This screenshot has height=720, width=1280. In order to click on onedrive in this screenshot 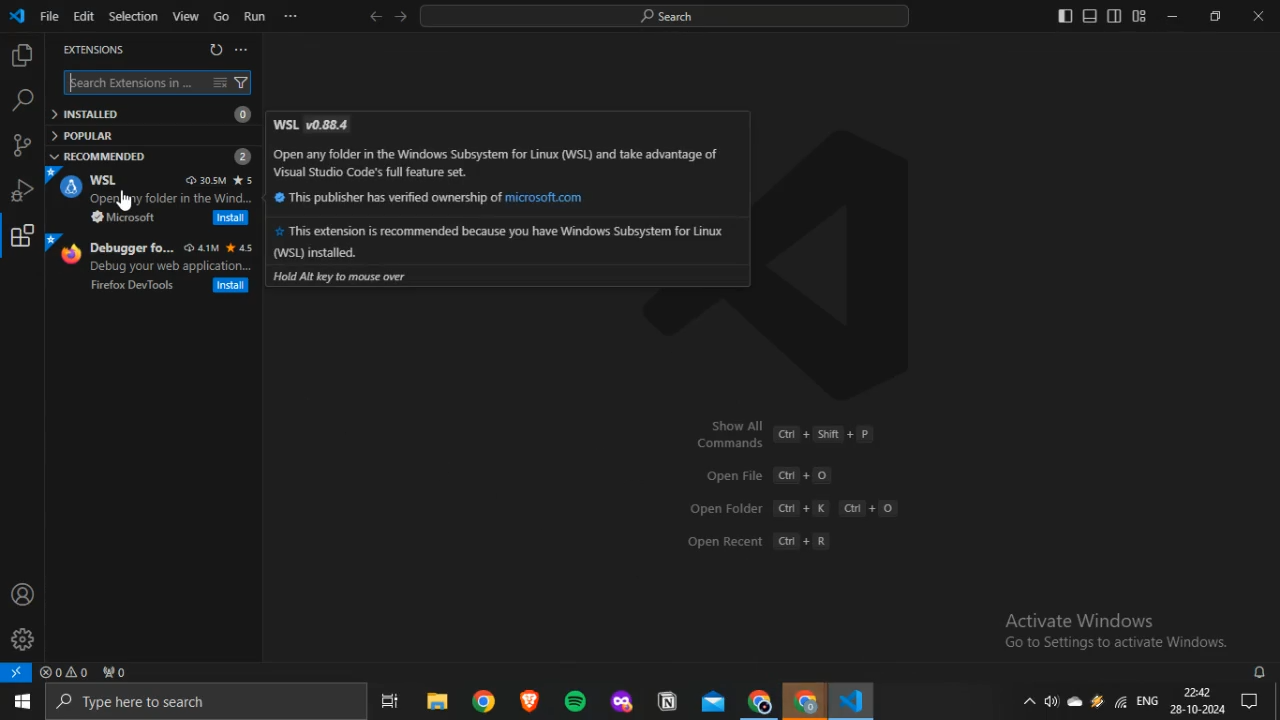, I will do `click(1075, 702)`.